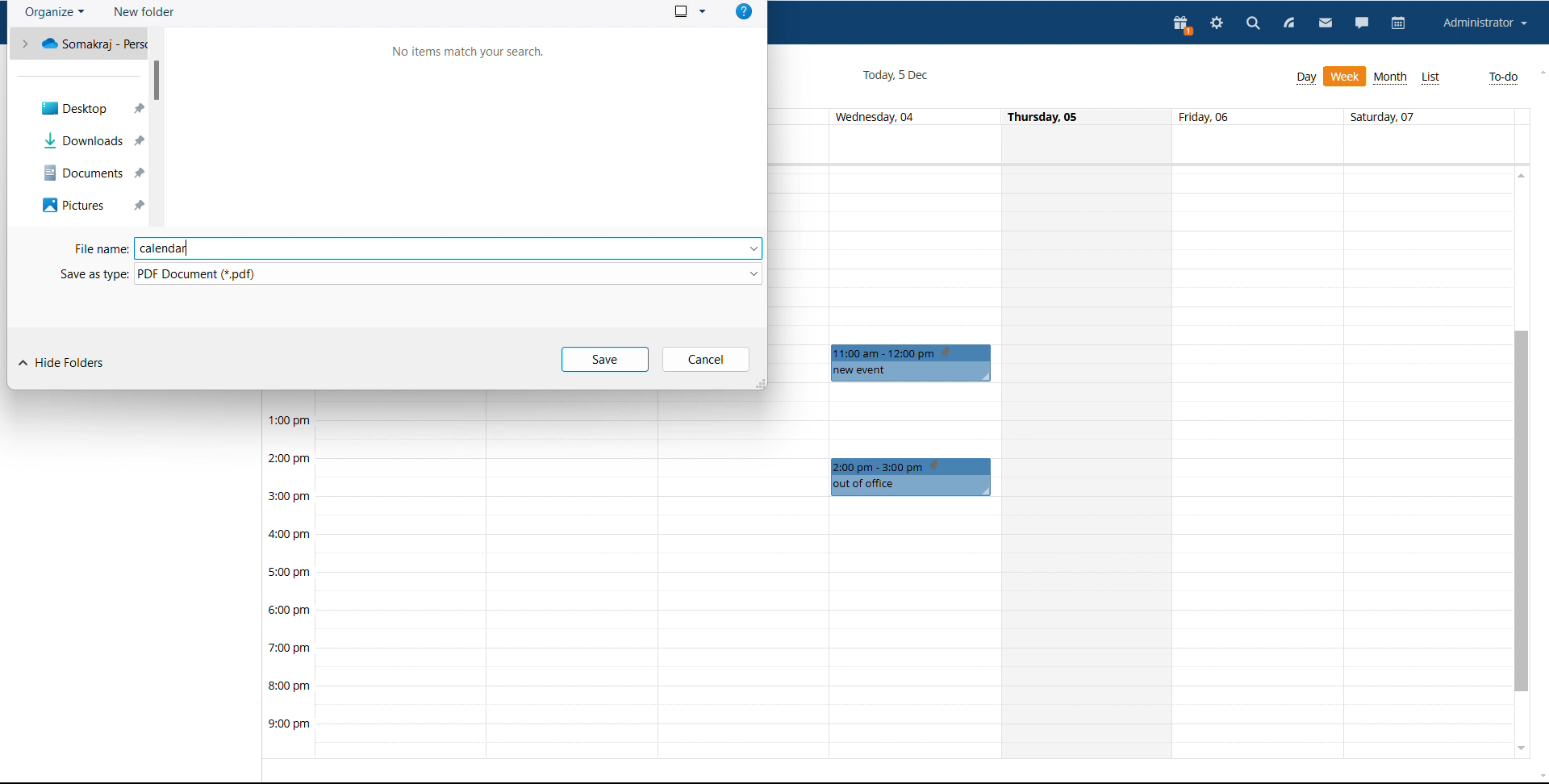 This screenshot has width=1549, height=784. Describe the element at coordinates (1486, 23) in the screenshot. I see `account` at that location.